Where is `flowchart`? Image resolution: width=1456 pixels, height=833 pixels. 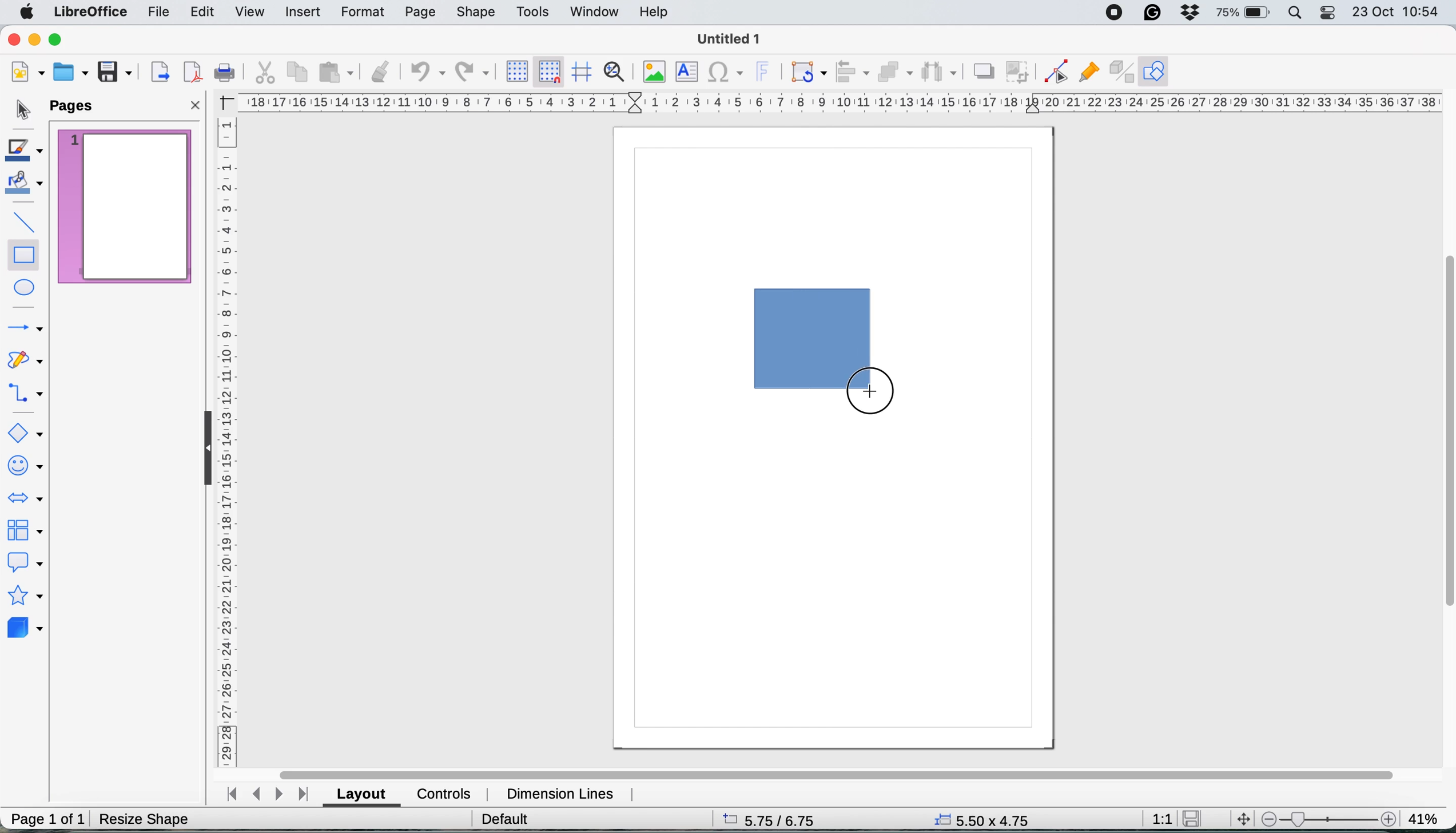
flowchart is located at coordinates (25, 530).